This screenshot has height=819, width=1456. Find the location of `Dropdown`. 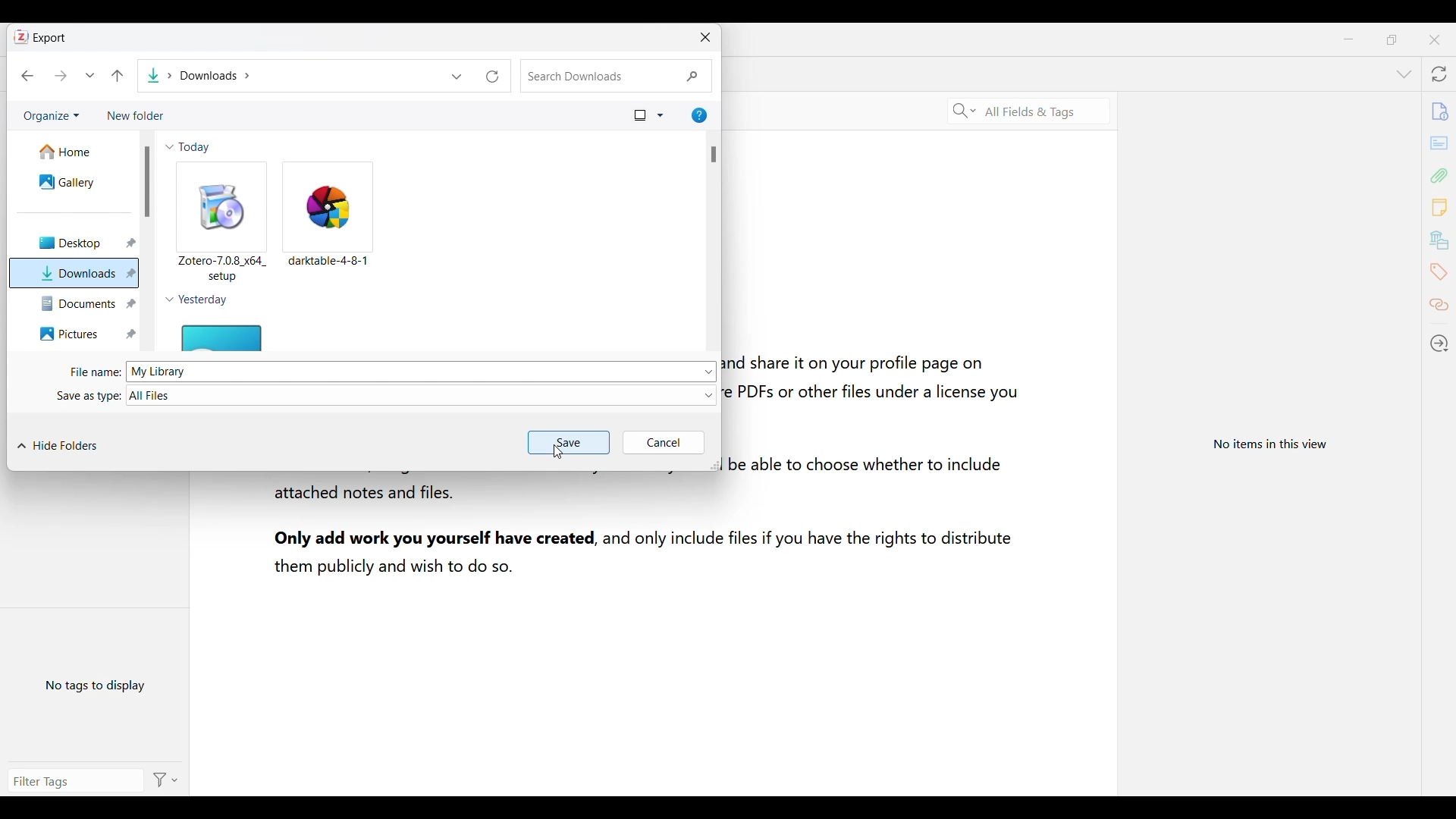

Dropdown is located at coordinates (92, 75).